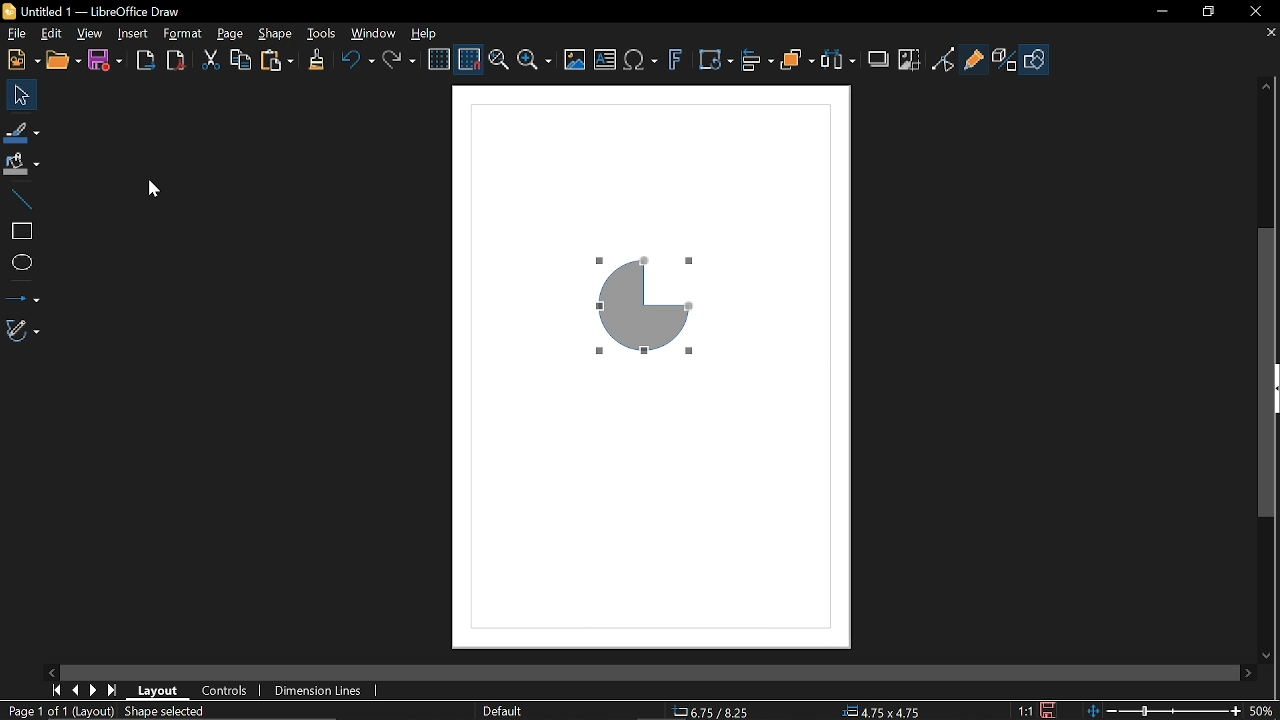 The image size is (1280, 720). What do you see at coordinates (714, 712) in the screenshot?
I see `6.75/8.25 (cursor position)` at bounding box center [714, 712].